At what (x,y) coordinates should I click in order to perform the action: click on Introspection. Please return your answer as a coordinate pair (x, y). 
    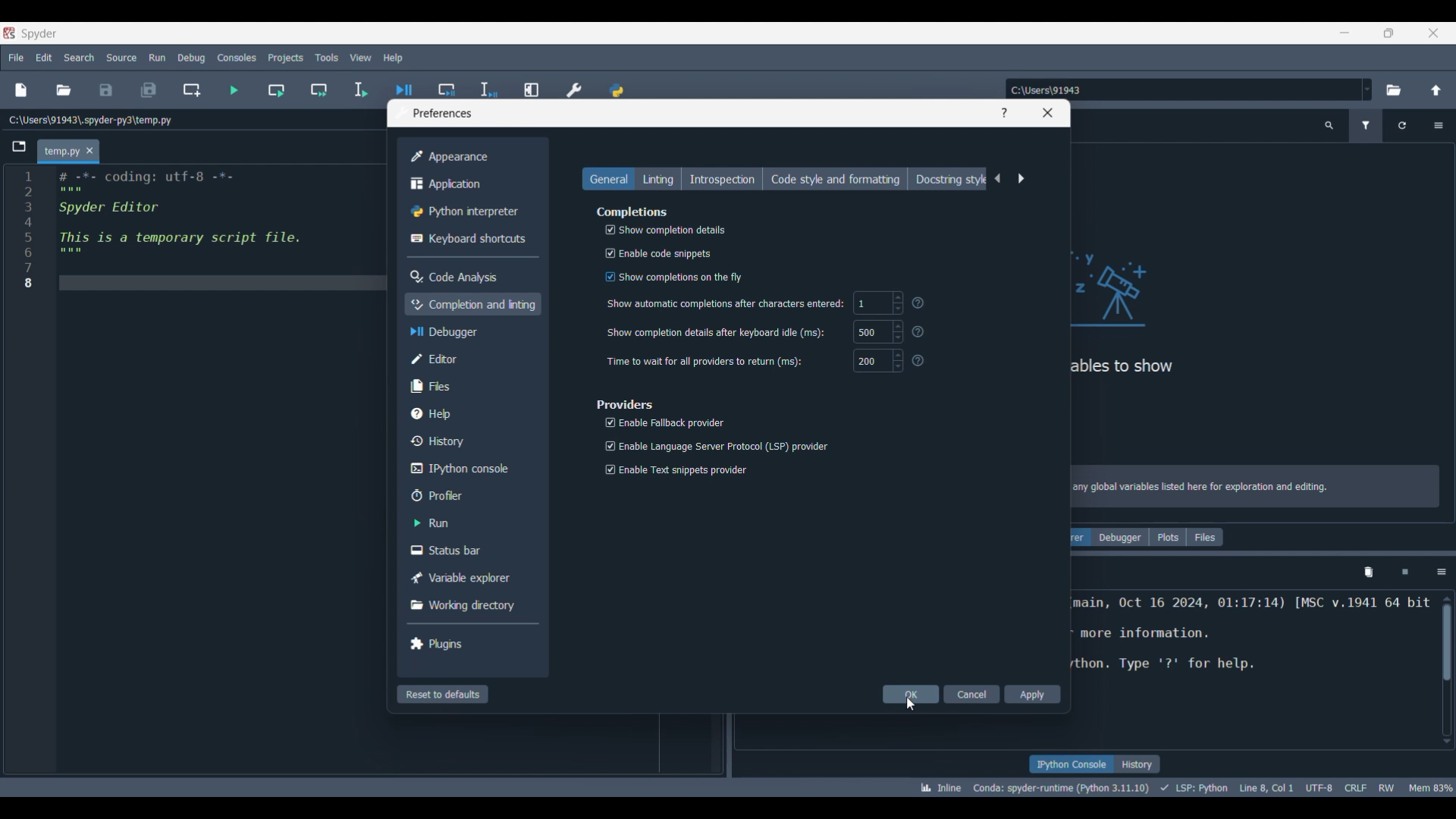
    Looking at the image, I should click on (722, 178).